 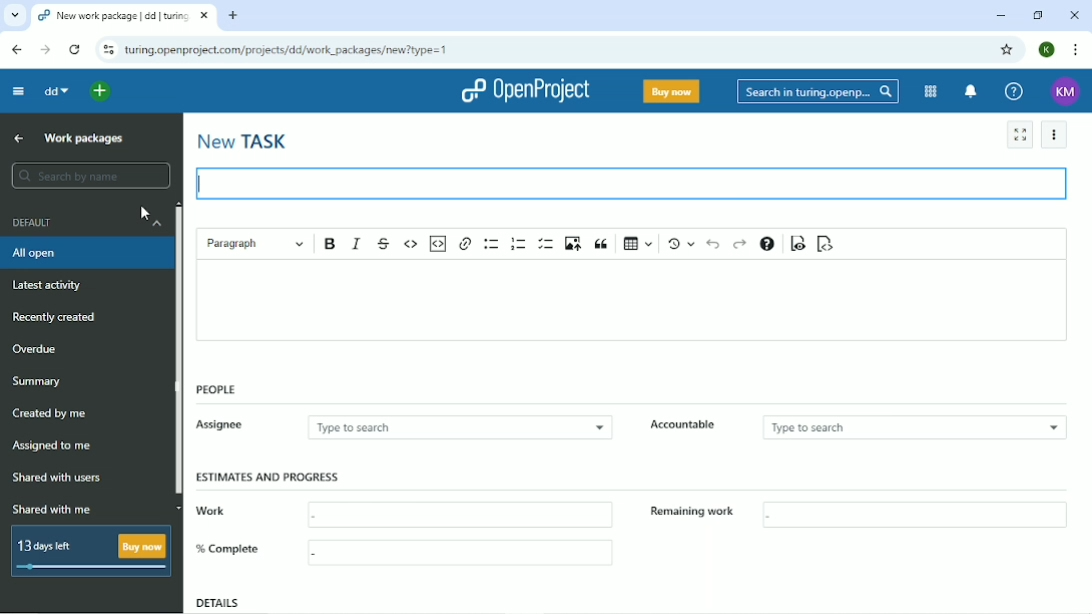 I want to click on Toggle preview mode, so click(x=797, y=243).